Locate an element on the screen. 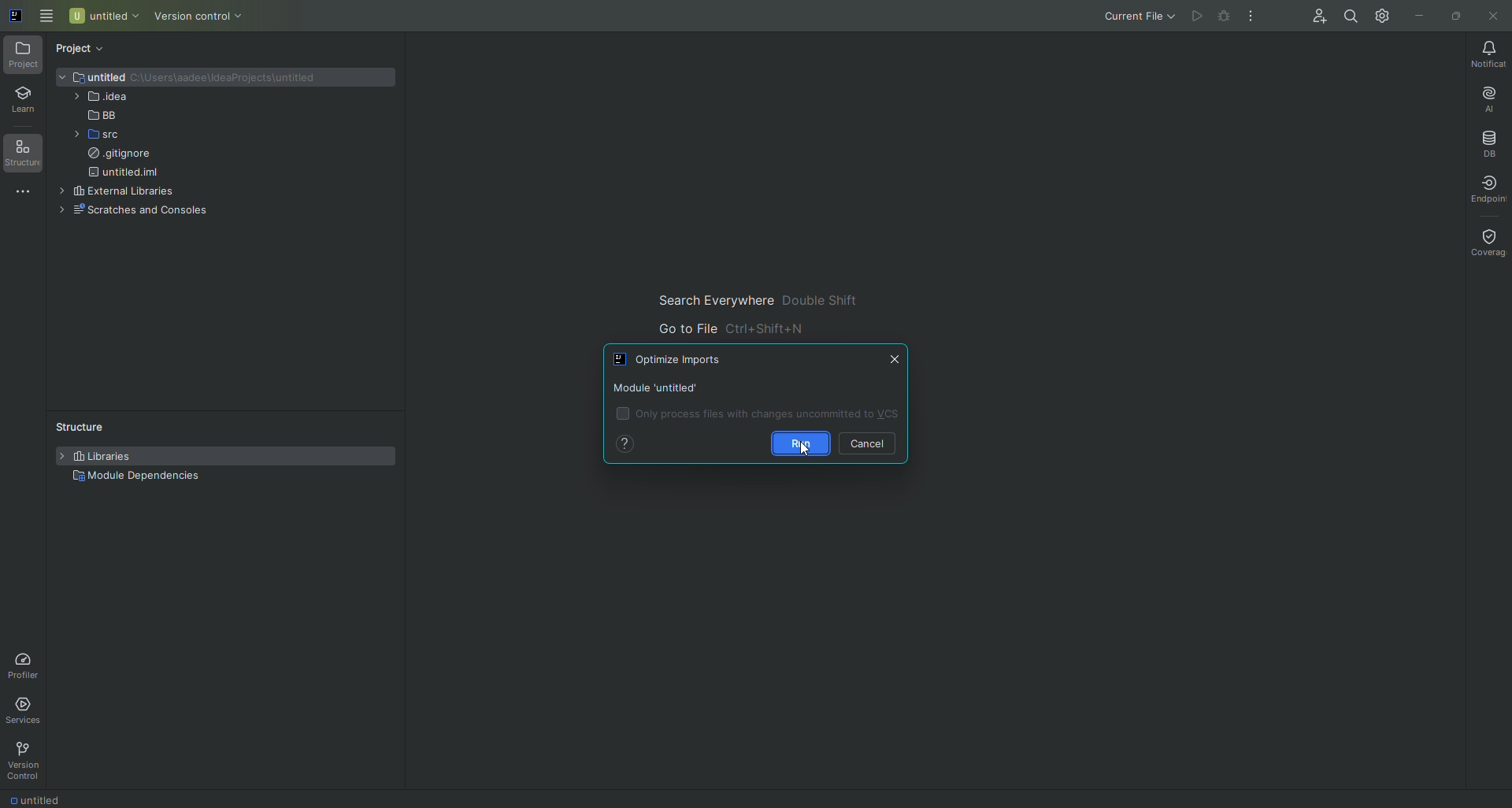 Image resolution: width=1512 pixels, height=808 pixels. Project is located at coordinates (24, 56).